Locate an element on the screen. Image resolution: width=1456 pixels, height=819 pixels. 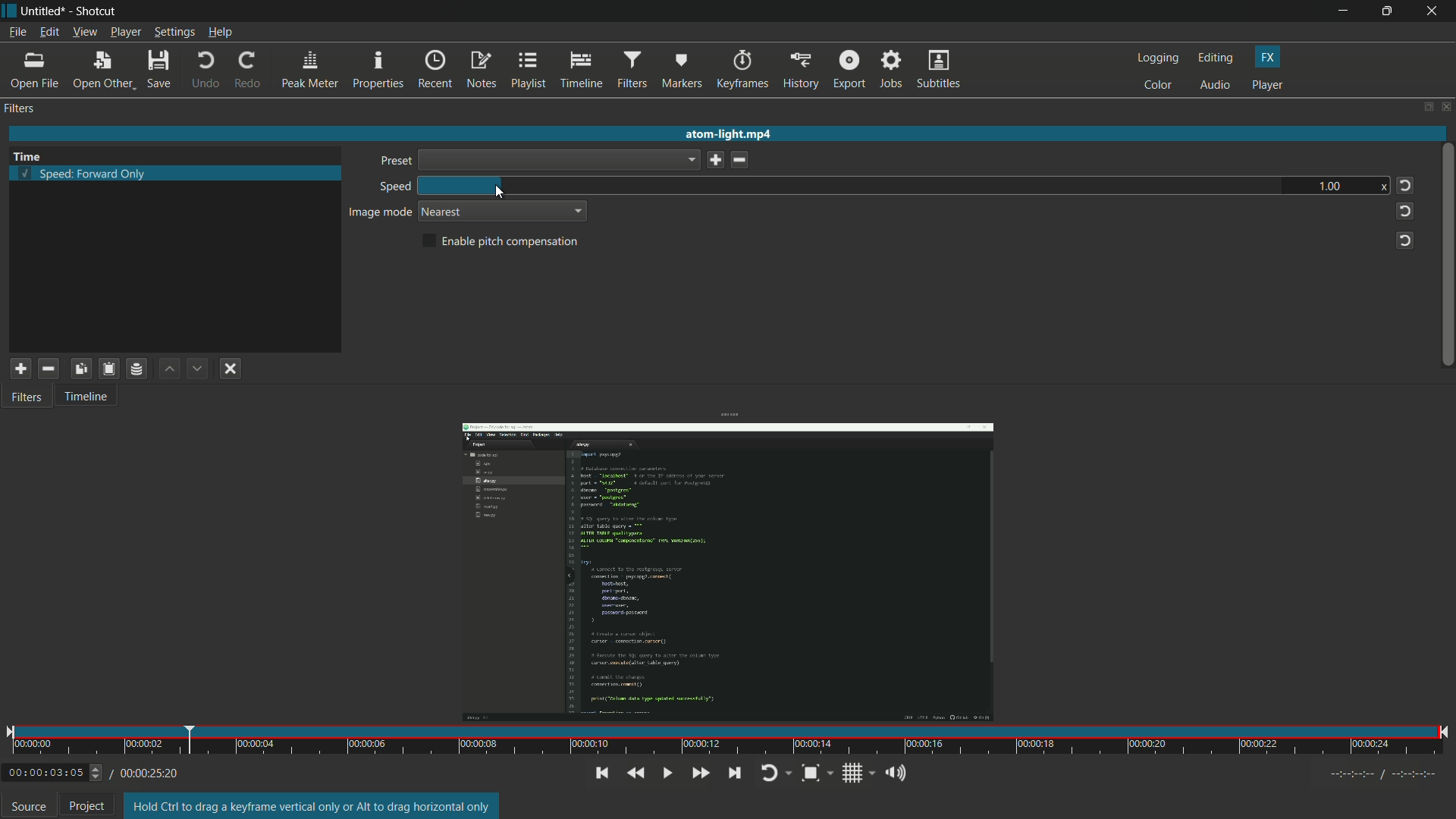
playlist is located at coordinates (530, 71).